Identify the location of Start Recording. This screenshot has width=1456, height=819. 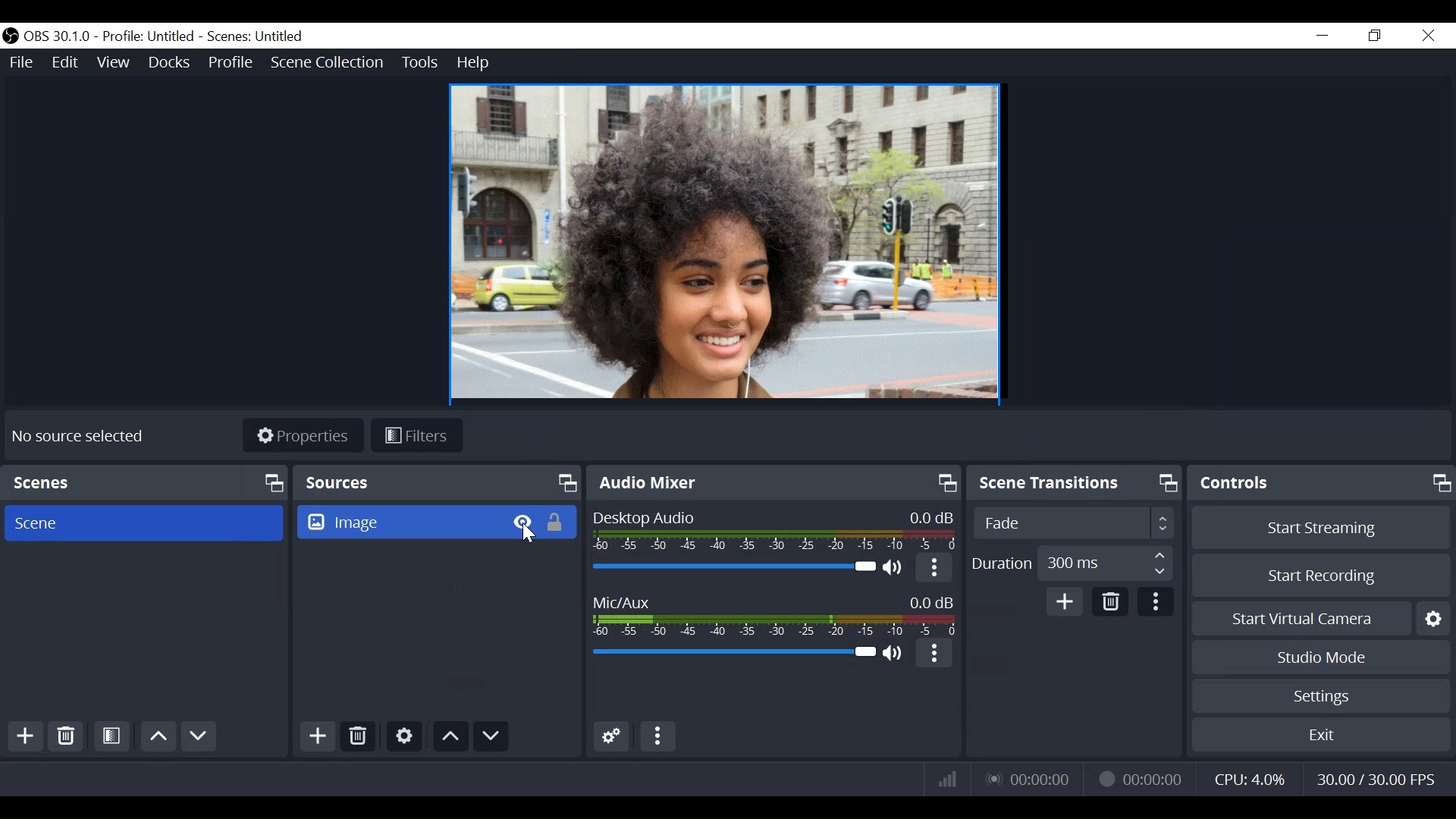
(1322, 577).